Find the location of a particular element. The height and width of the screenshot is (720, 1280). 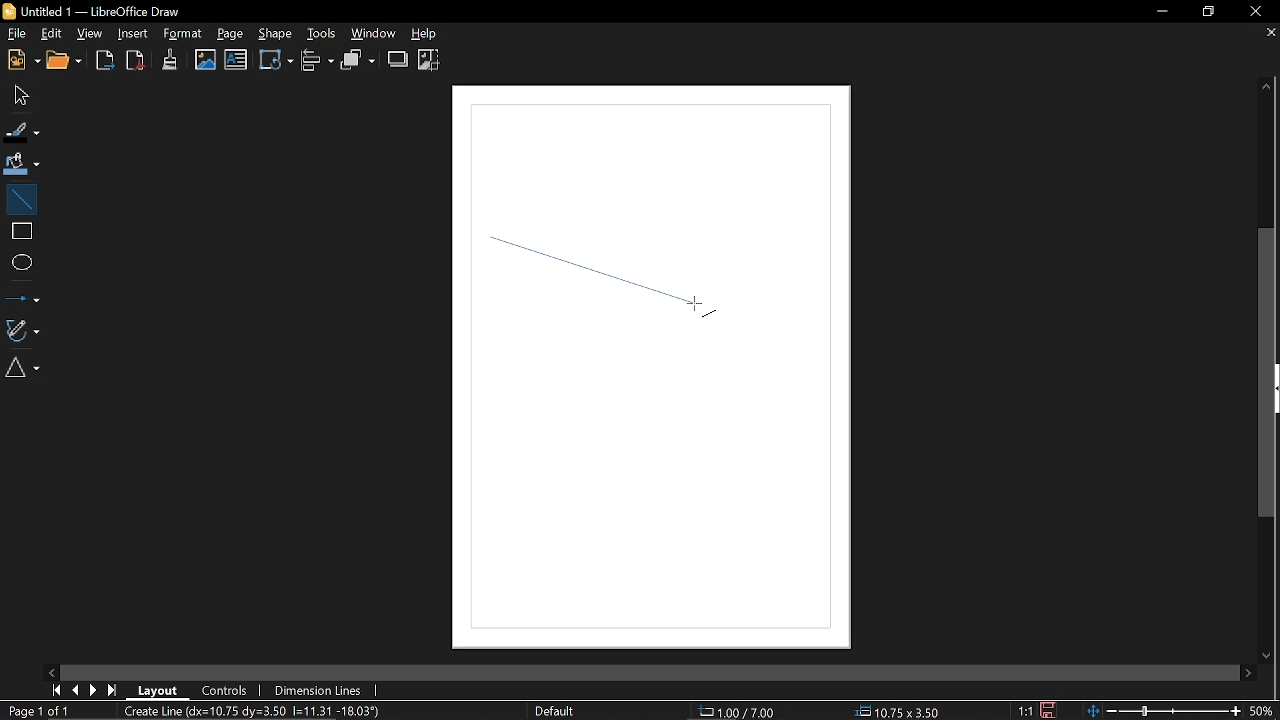

Layout is located at coordinates (162, 690).